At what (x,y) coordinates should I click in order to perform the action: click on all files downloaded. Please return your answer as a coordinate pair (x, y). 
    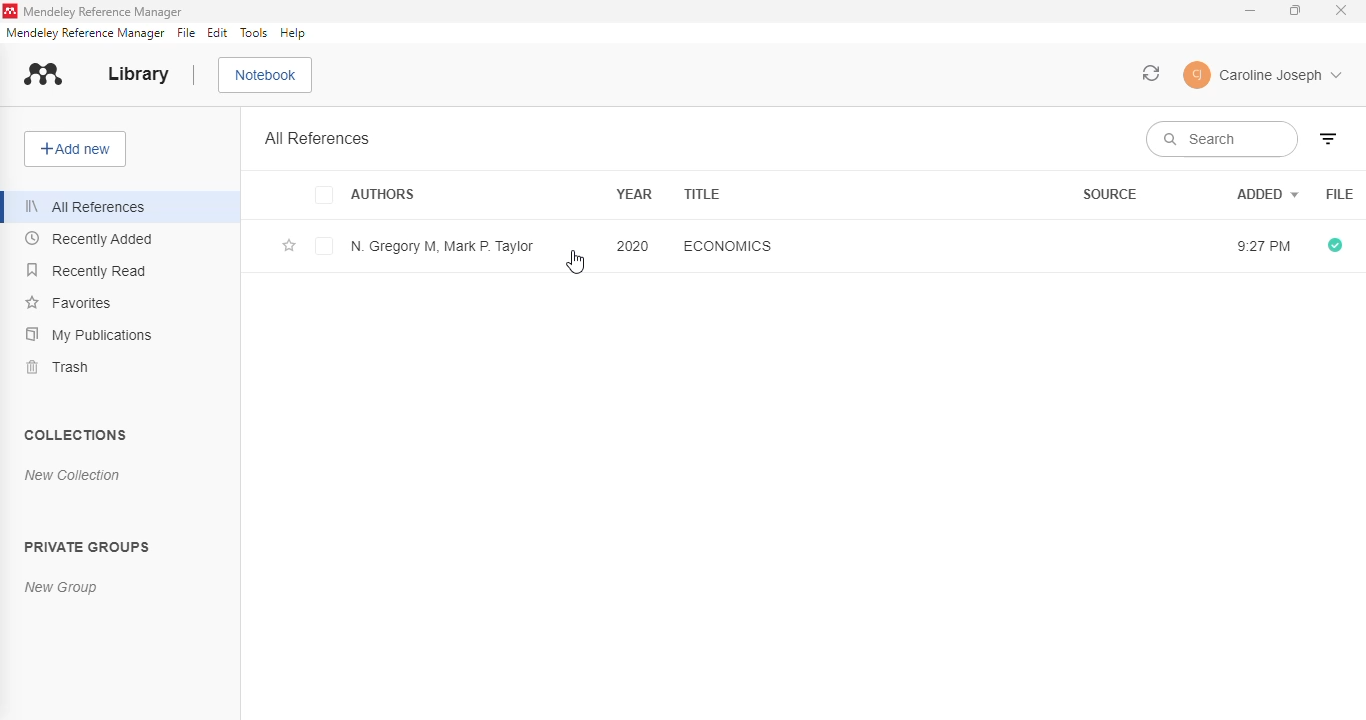
    Looking at the image, I should click on (1334, 245).